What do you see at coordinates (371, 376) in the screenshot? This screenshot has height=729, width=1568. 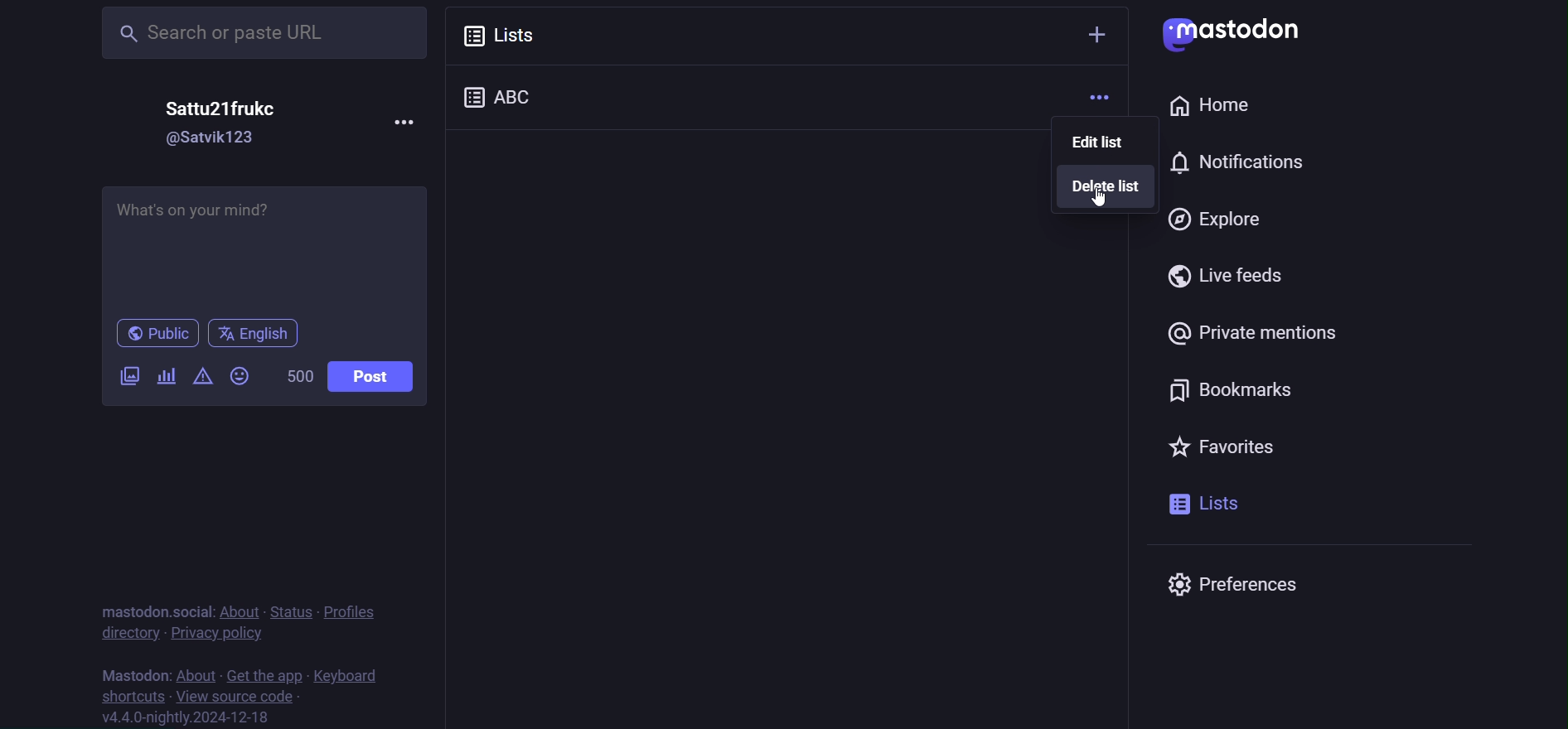 I see `post` at bounding box center [371, 376].